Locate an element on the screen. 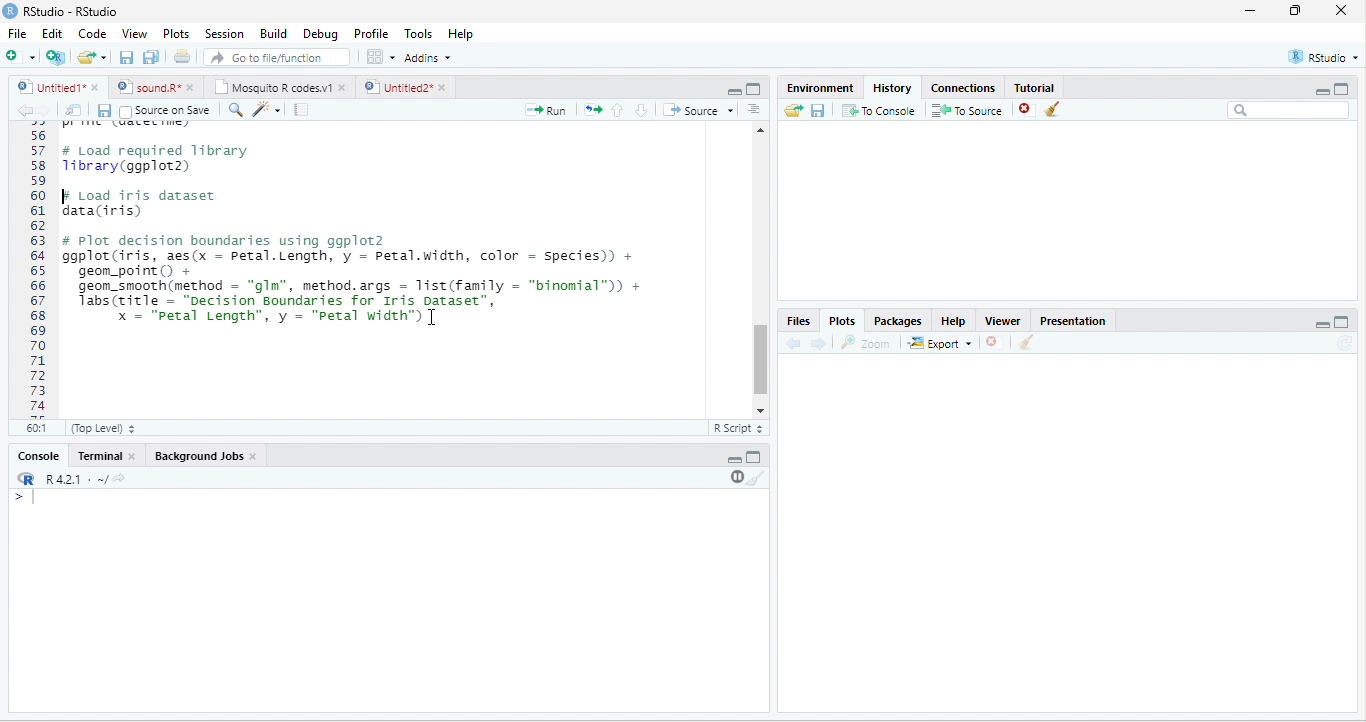  up is located at coordinates (618, 110).